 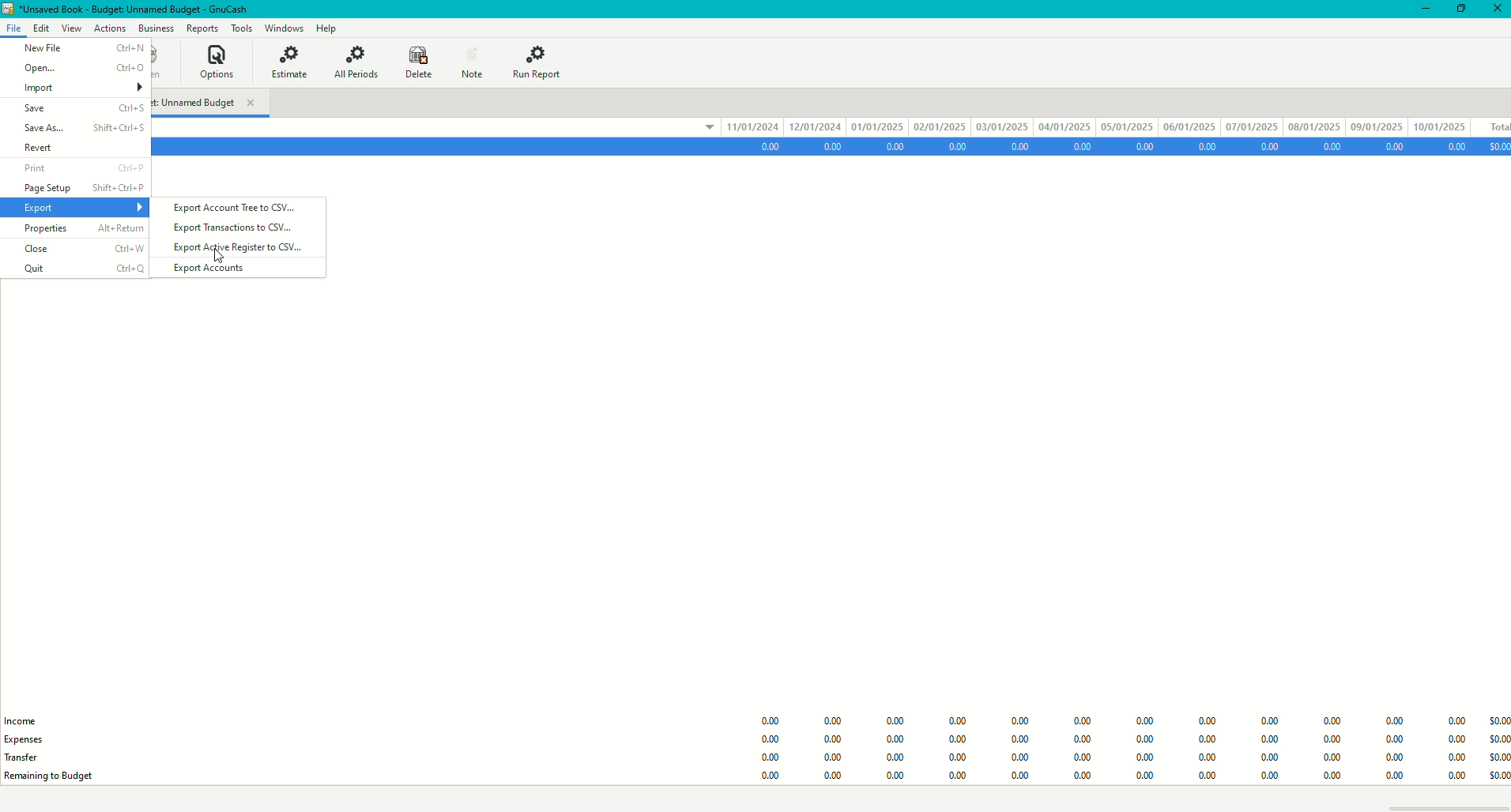 I want to click on Edit, so click(x=41, y=26).